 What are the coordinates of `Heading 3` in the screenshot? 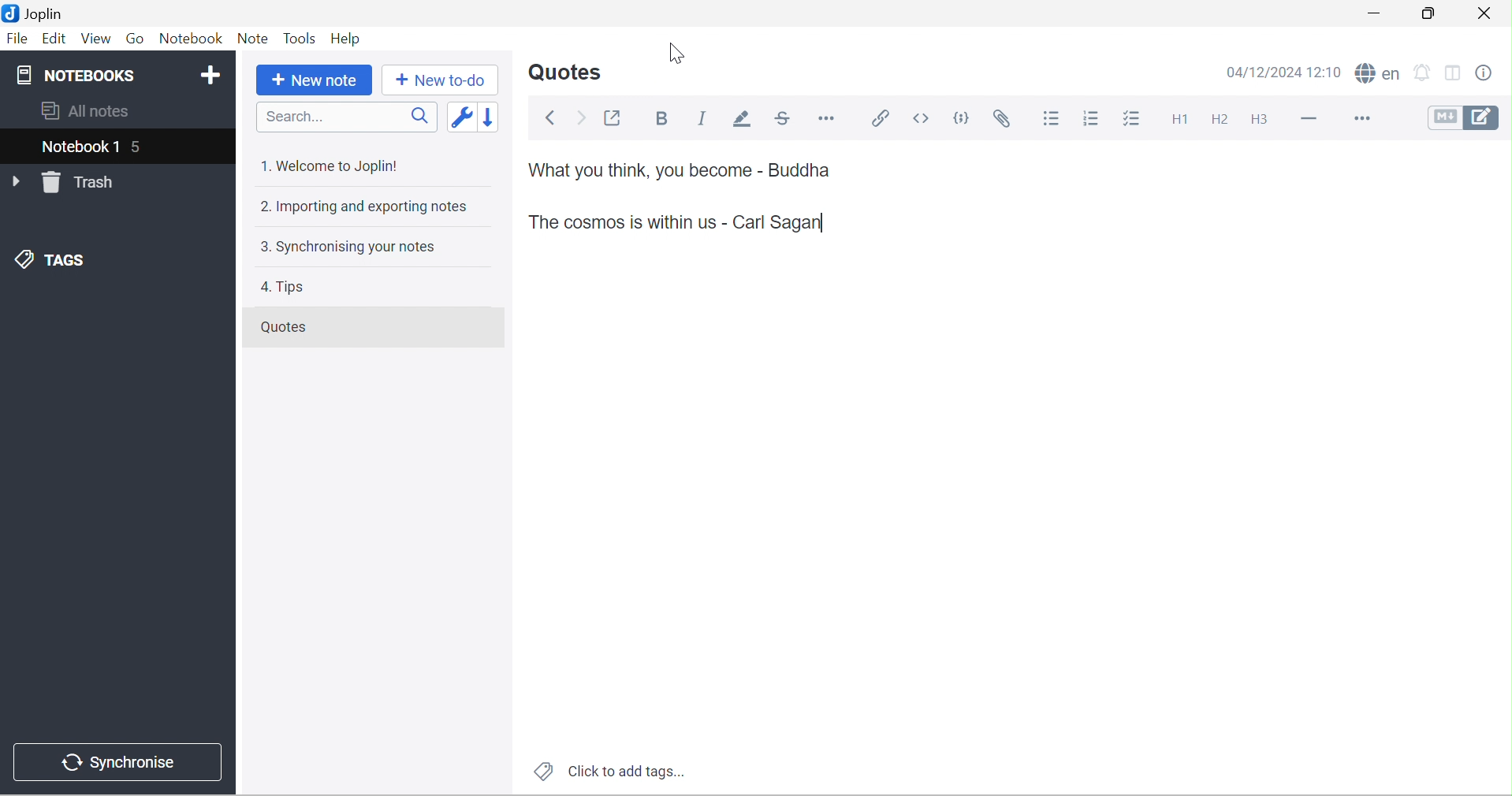 It's located at (1257, 120).